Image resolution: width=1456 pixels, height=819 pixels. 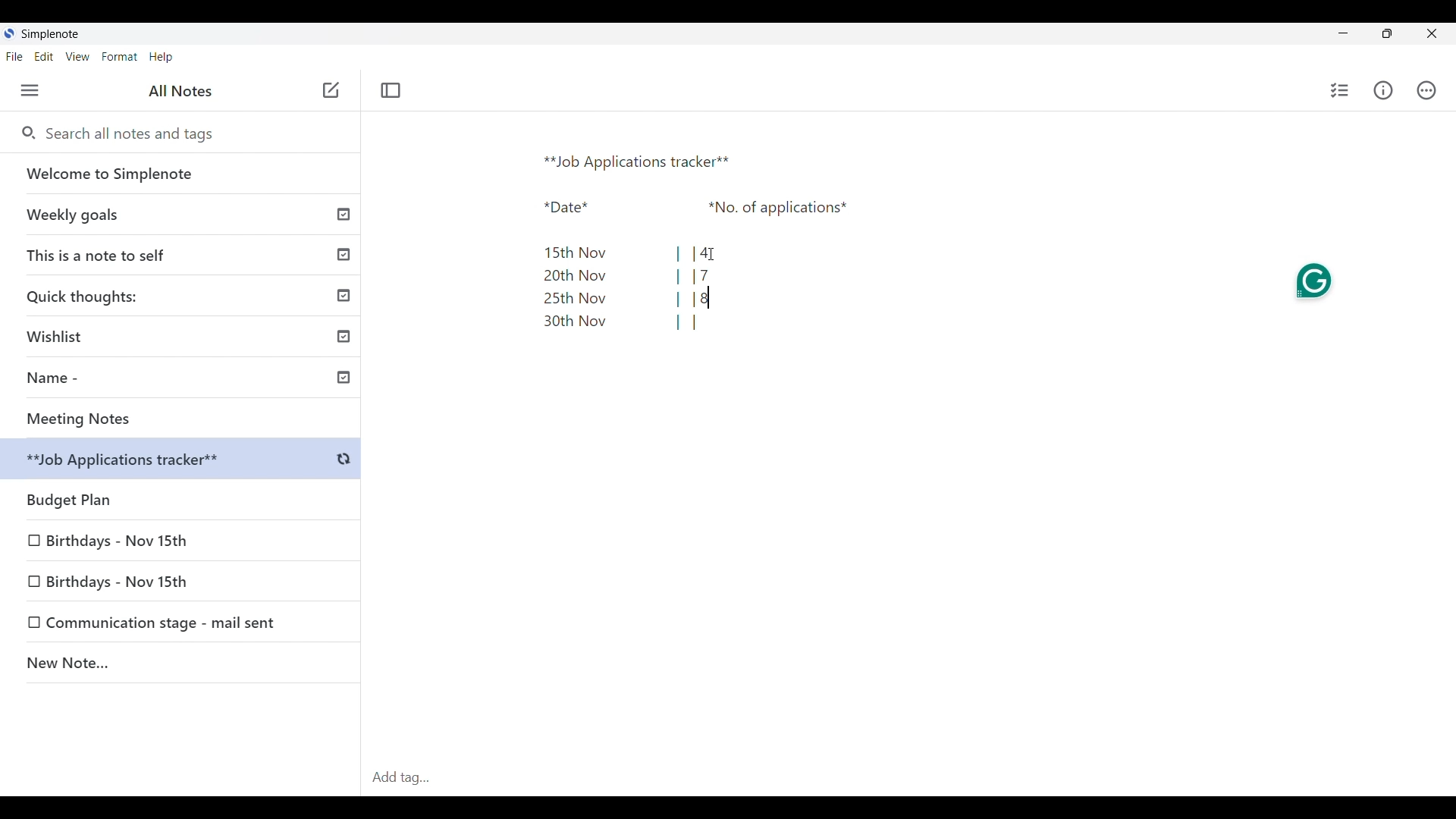 I want to click on Close interface, so click(x=1432, y=33).